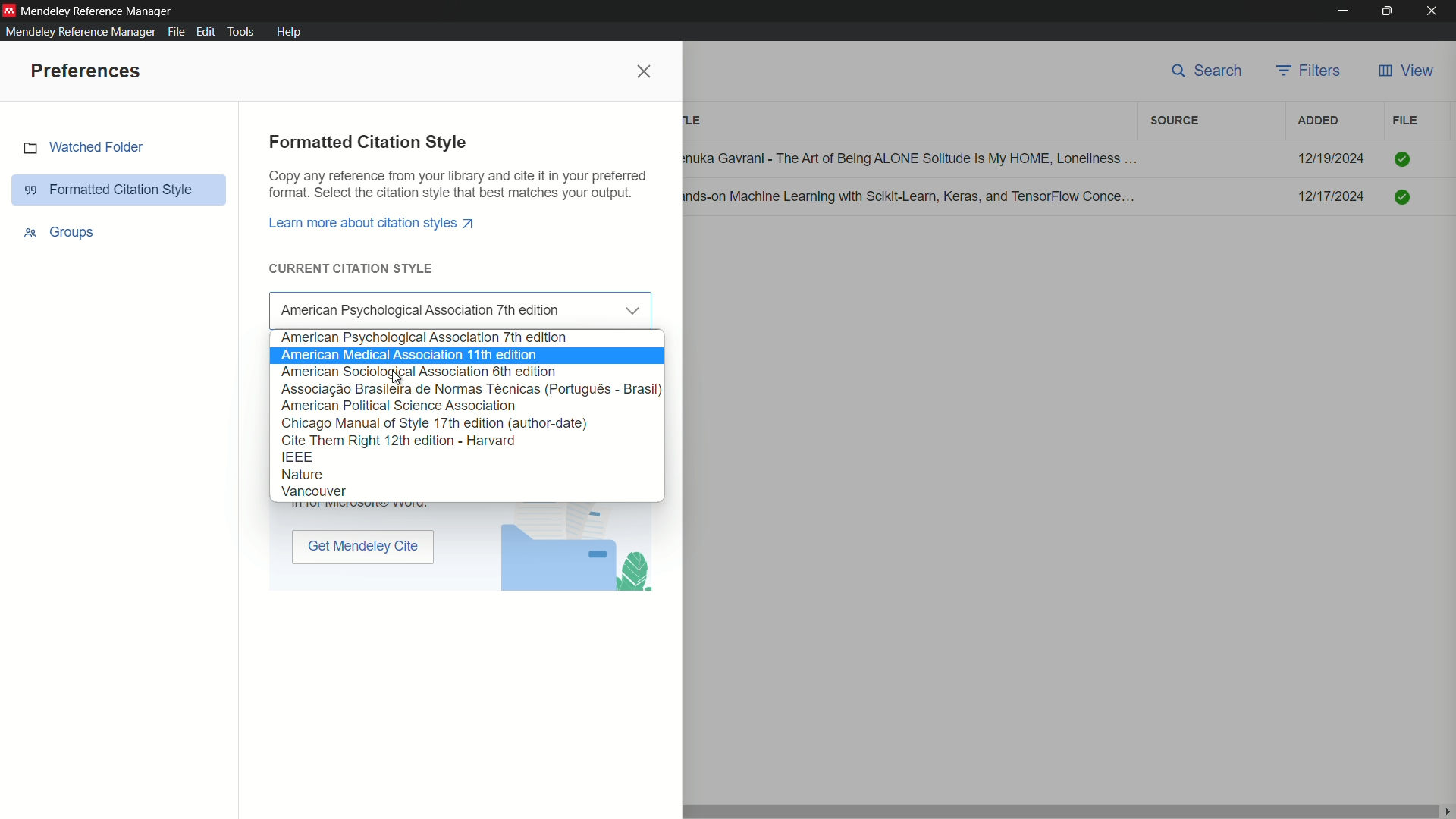 The image size is (1456, 819). What do you see at coordinates (9, 11) in the screenshot?
I see `app icon` at bounding box center [9, 11].